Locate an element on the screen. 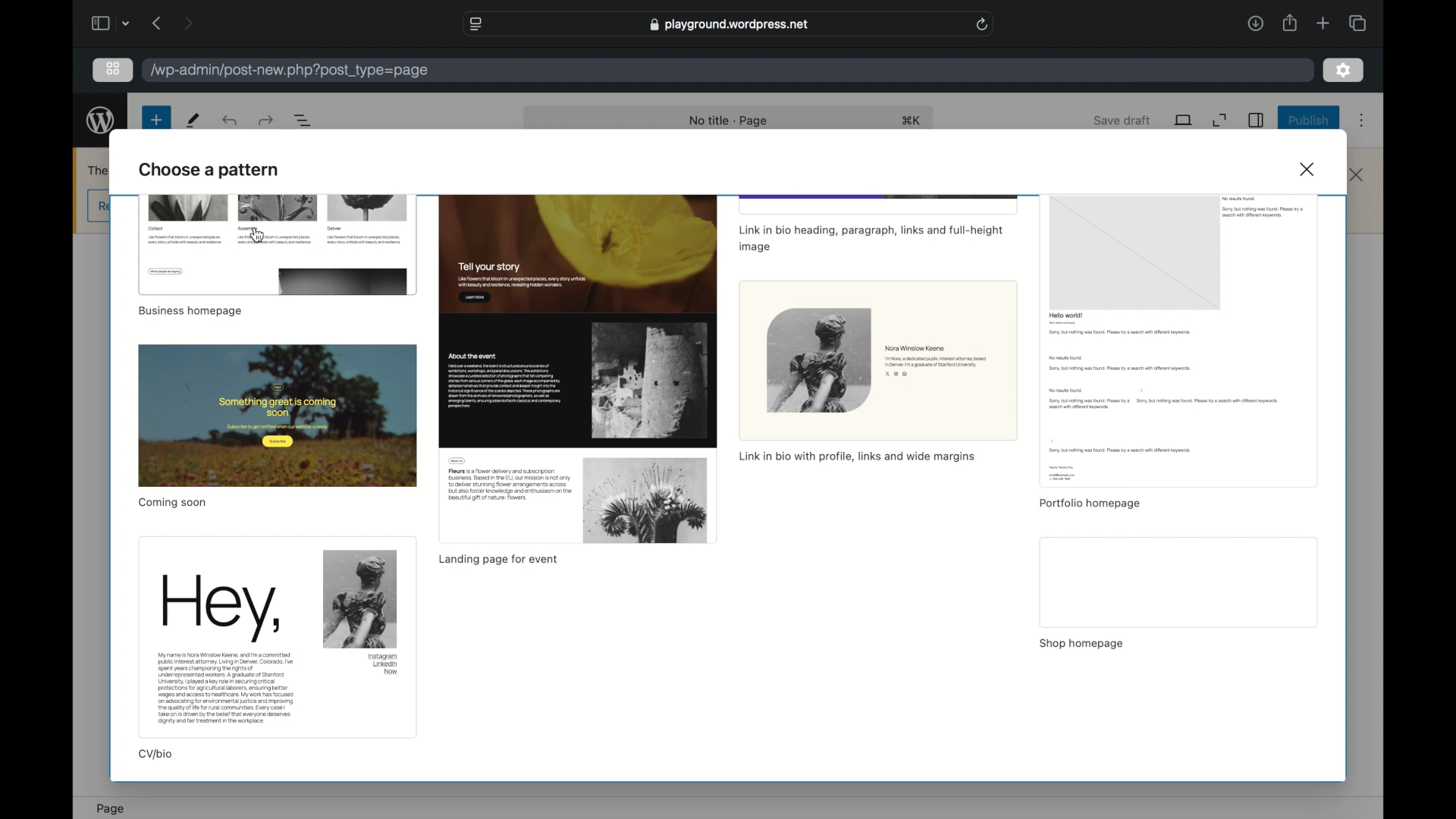  preview is located at coordinates (1178, 340).